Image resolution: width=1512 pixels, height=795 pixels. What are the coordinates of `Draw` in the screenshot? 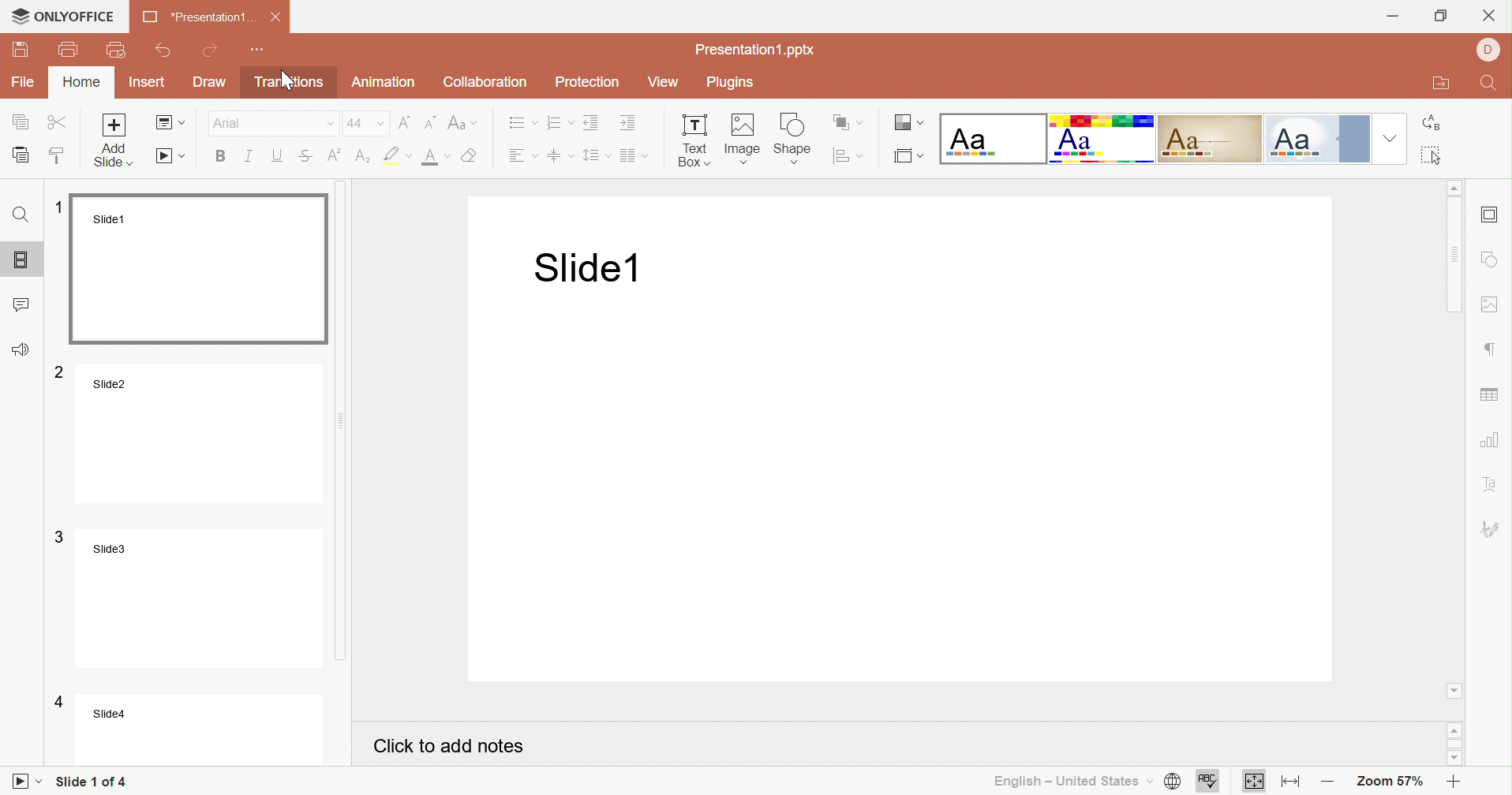 It's located at (211, 84).